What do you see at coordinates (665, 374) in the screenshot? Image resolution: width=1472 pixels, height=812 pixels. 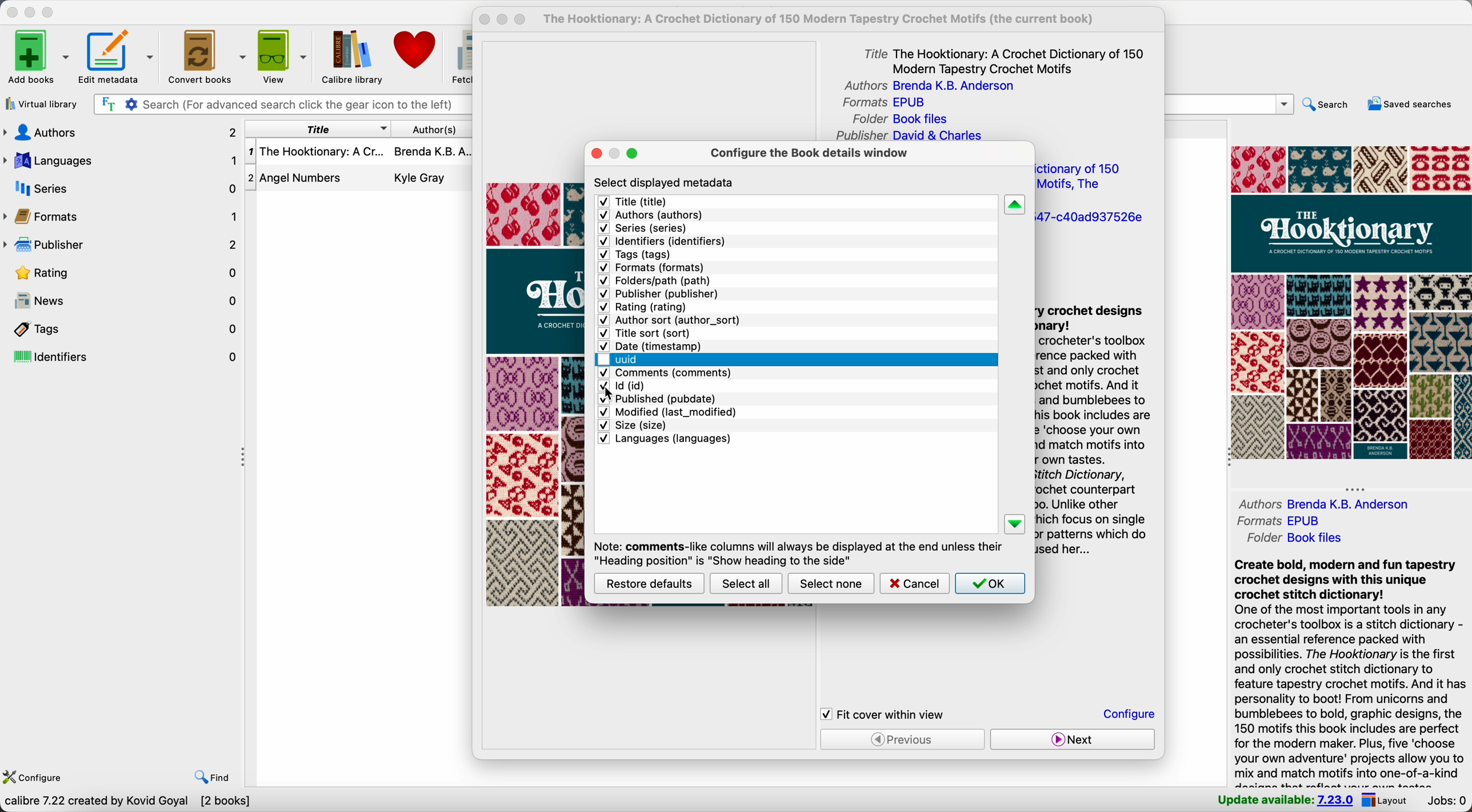 I see `comments` at bounding box center [665, 374].